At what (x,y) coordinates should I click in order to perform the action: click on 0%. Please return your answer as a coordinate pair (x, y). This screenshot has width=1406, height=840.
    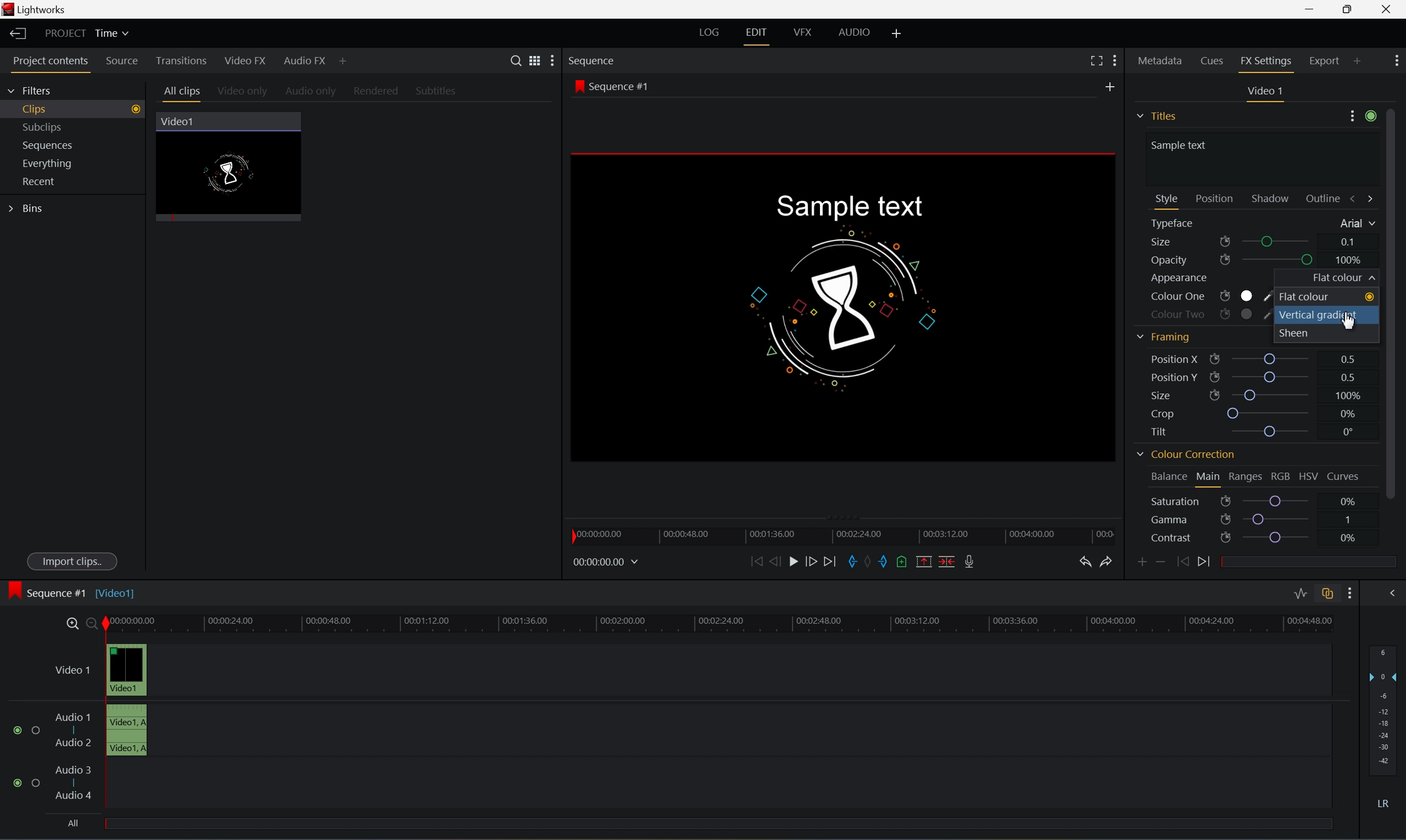
    Looking at the image, I should click on (1349, 414).